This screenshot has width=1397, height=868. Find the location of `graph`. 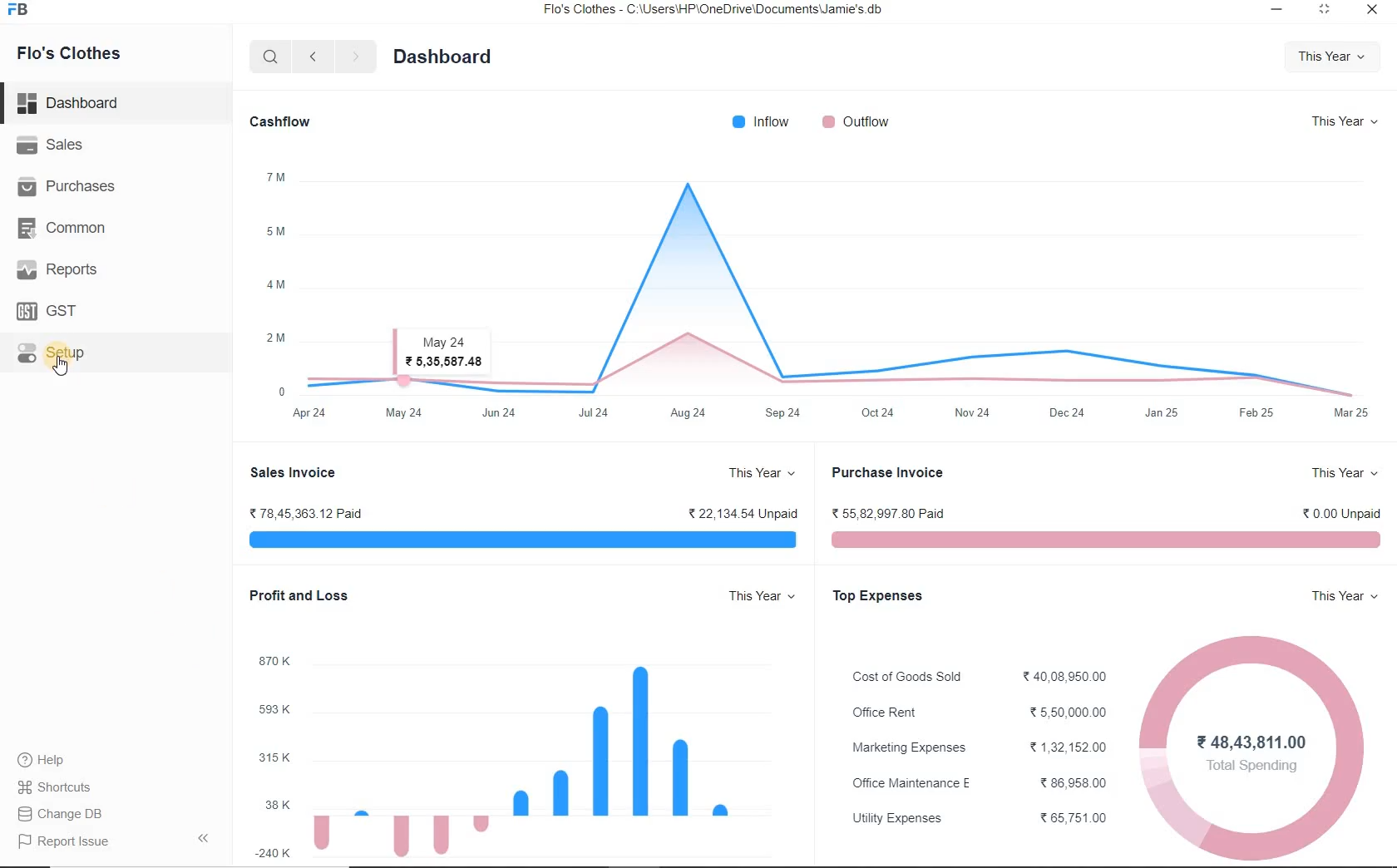

graph is located at coordinates (840, 276).